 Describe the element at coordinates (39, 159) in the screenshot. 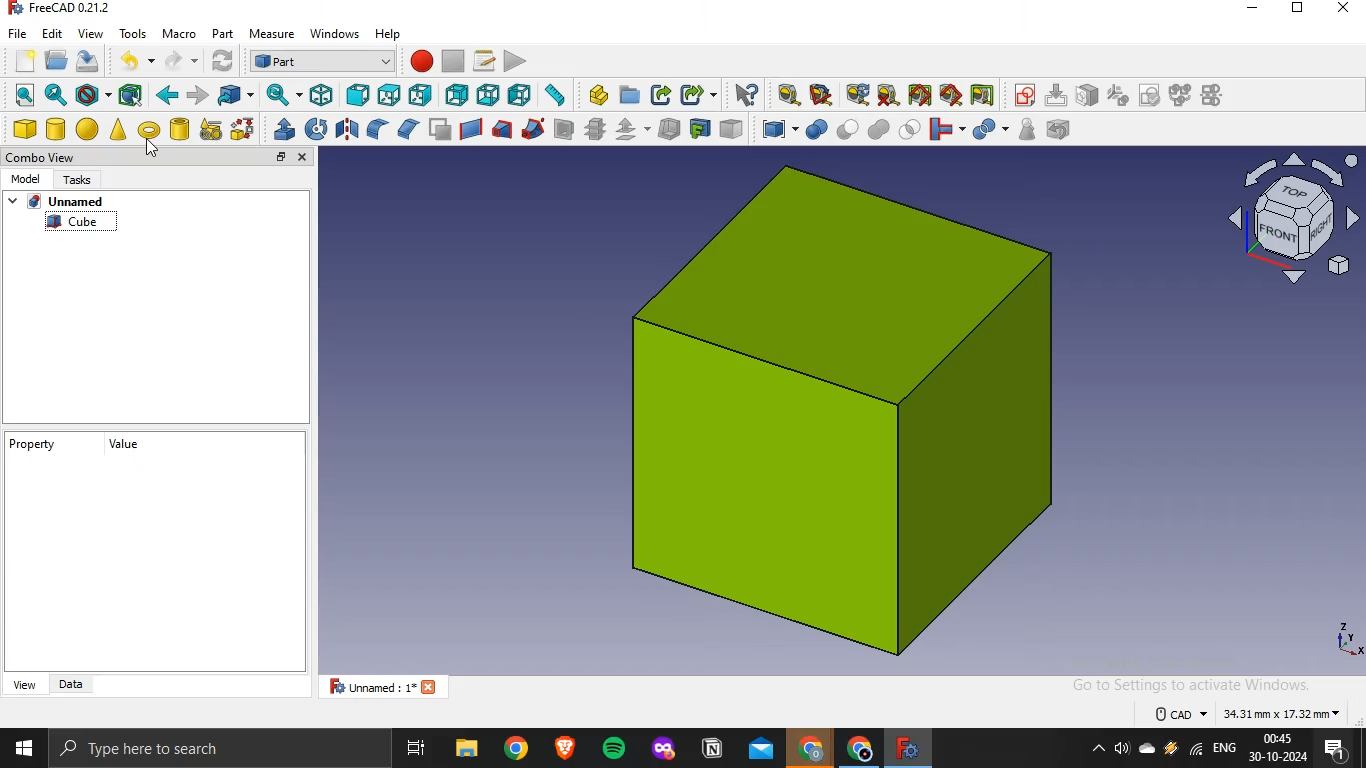

I see `combo  view` at that location.